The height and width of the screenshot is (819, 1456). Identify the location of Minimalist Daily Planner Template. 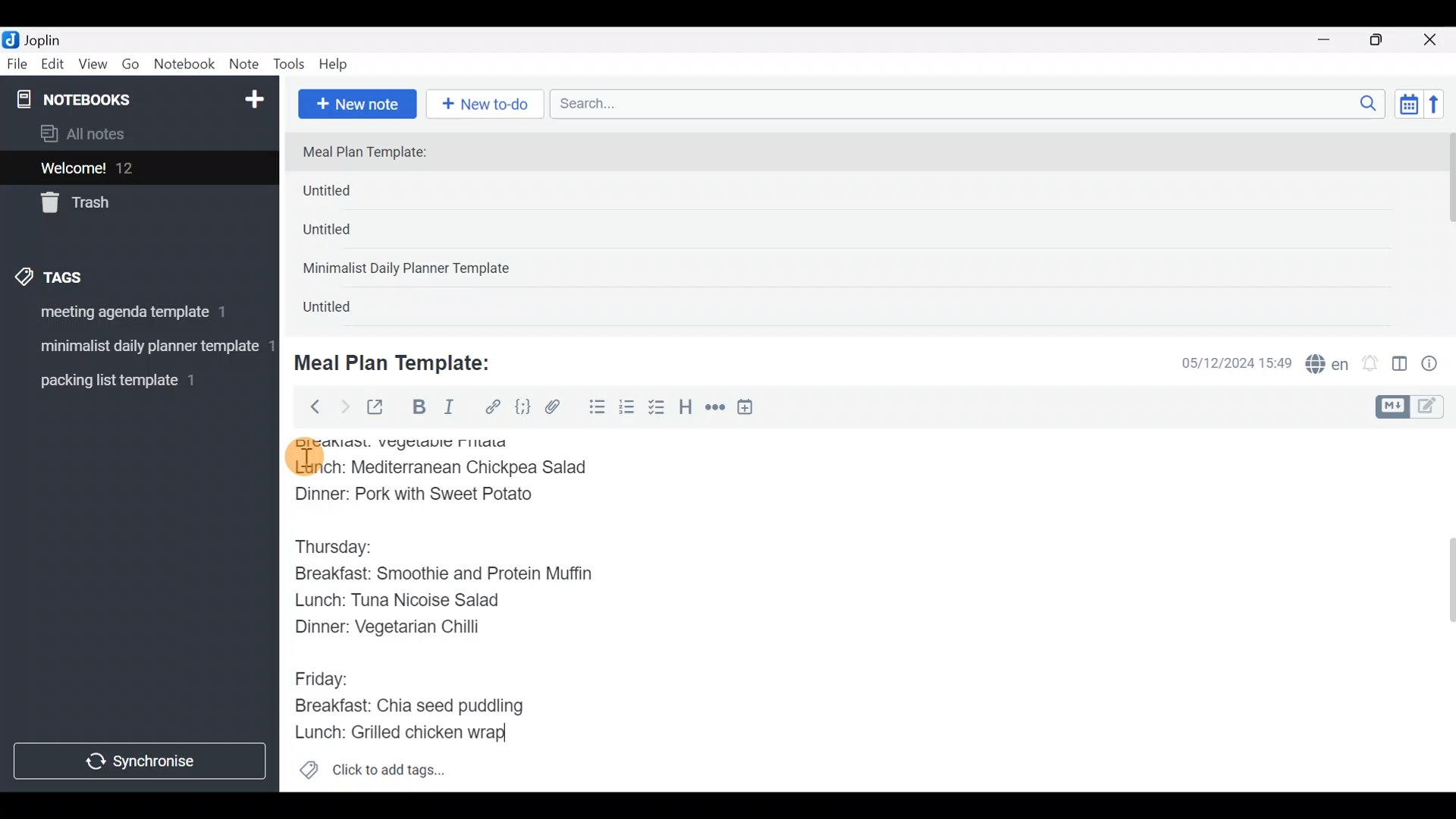
(411, 270).